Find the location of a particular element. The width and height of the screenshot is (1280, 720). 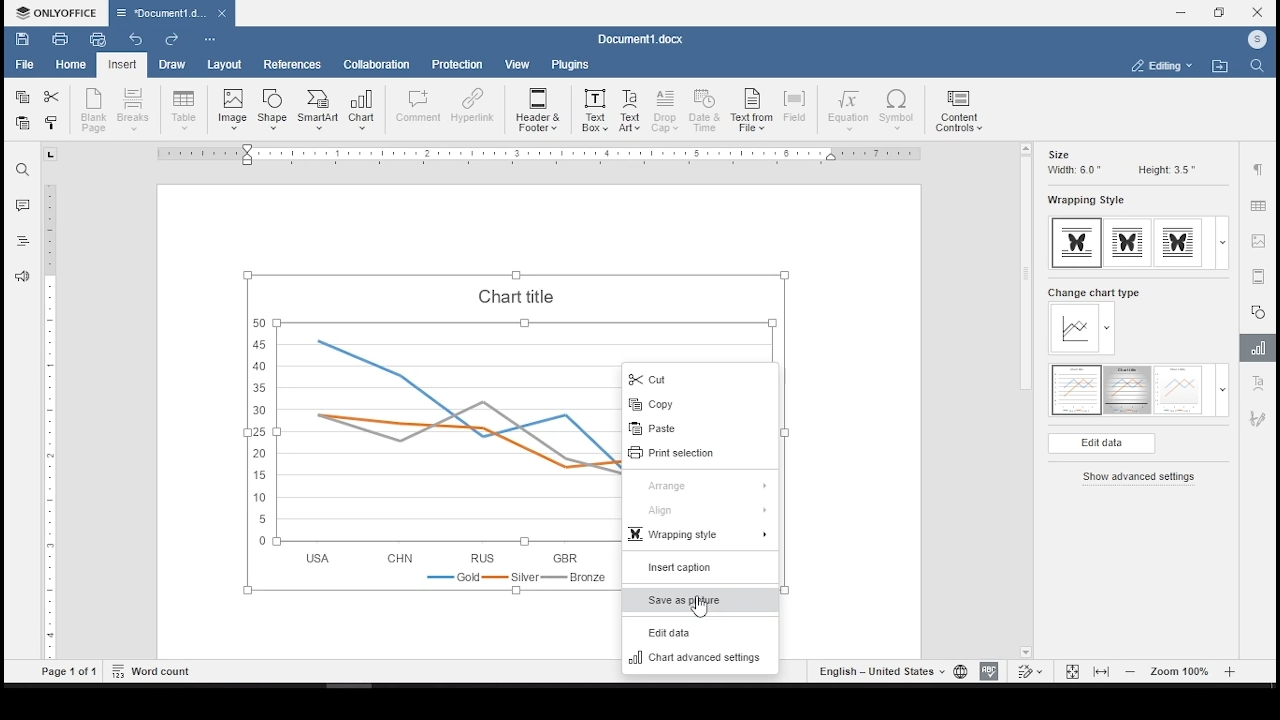

width is located at coordinates (1072, 171).